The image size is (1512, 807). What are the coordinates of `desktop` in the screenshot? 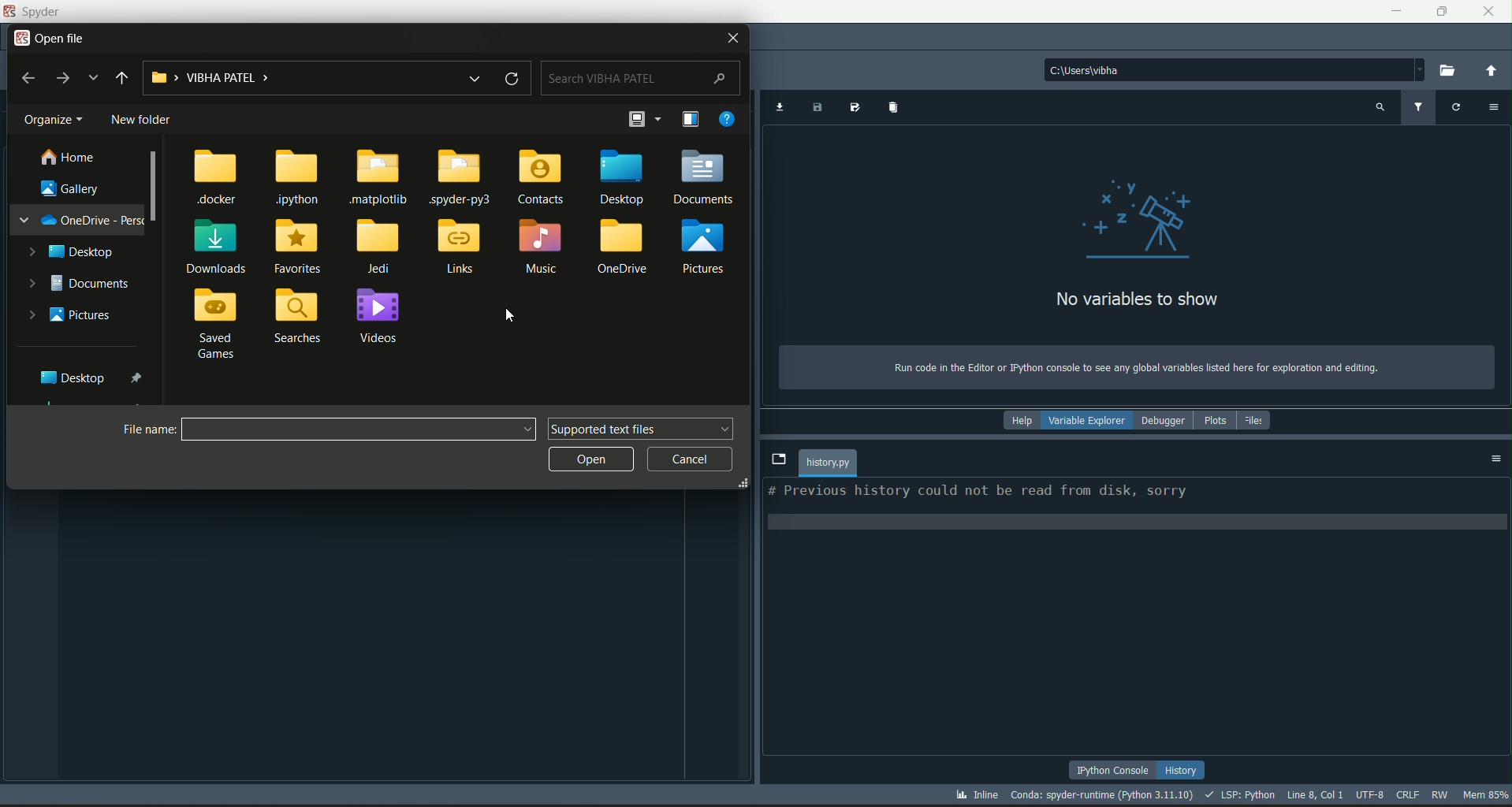 It's located at (620, 176).